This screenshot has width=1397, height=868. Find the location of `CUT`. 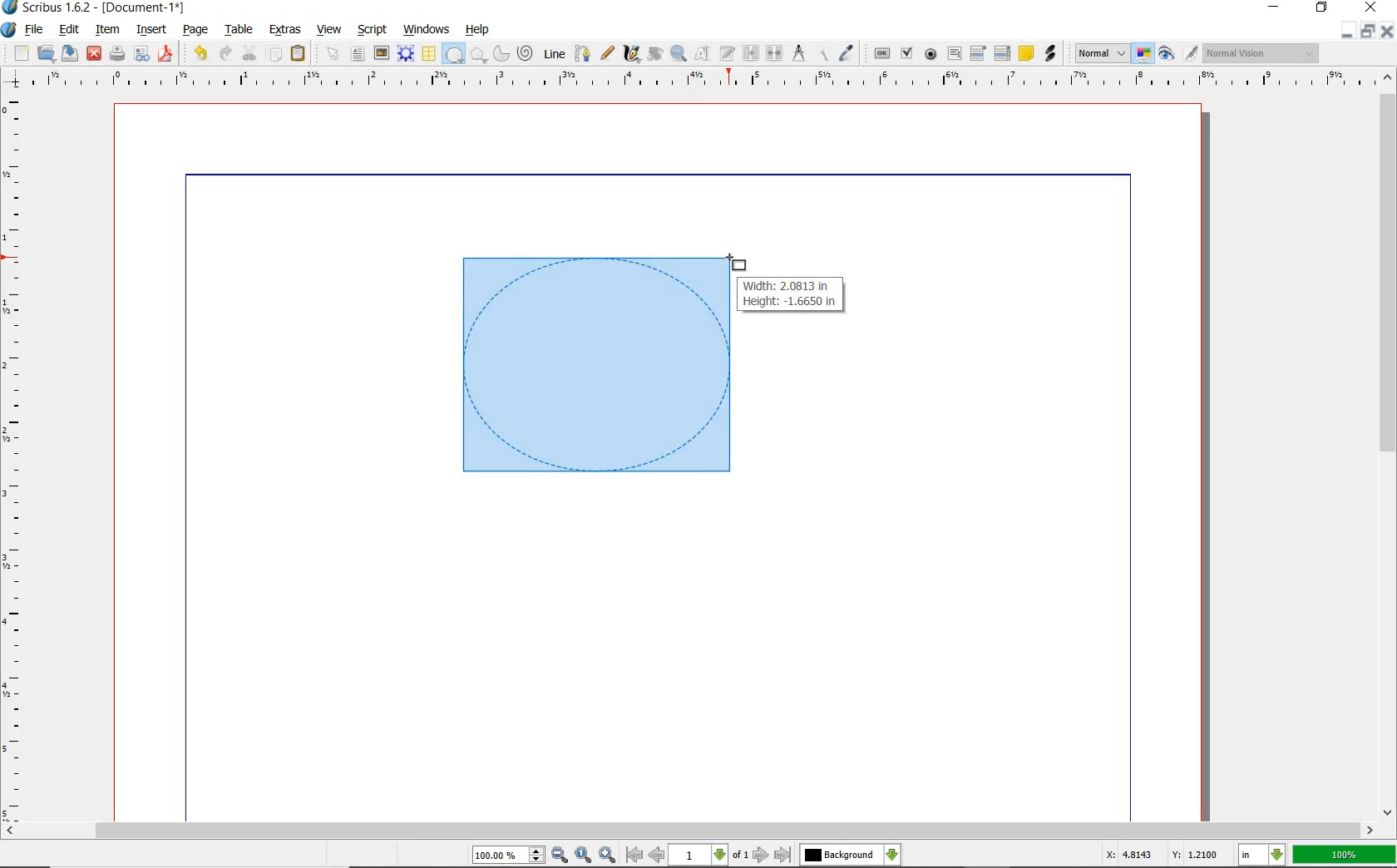

CUT is located at coordinates (250, 52).